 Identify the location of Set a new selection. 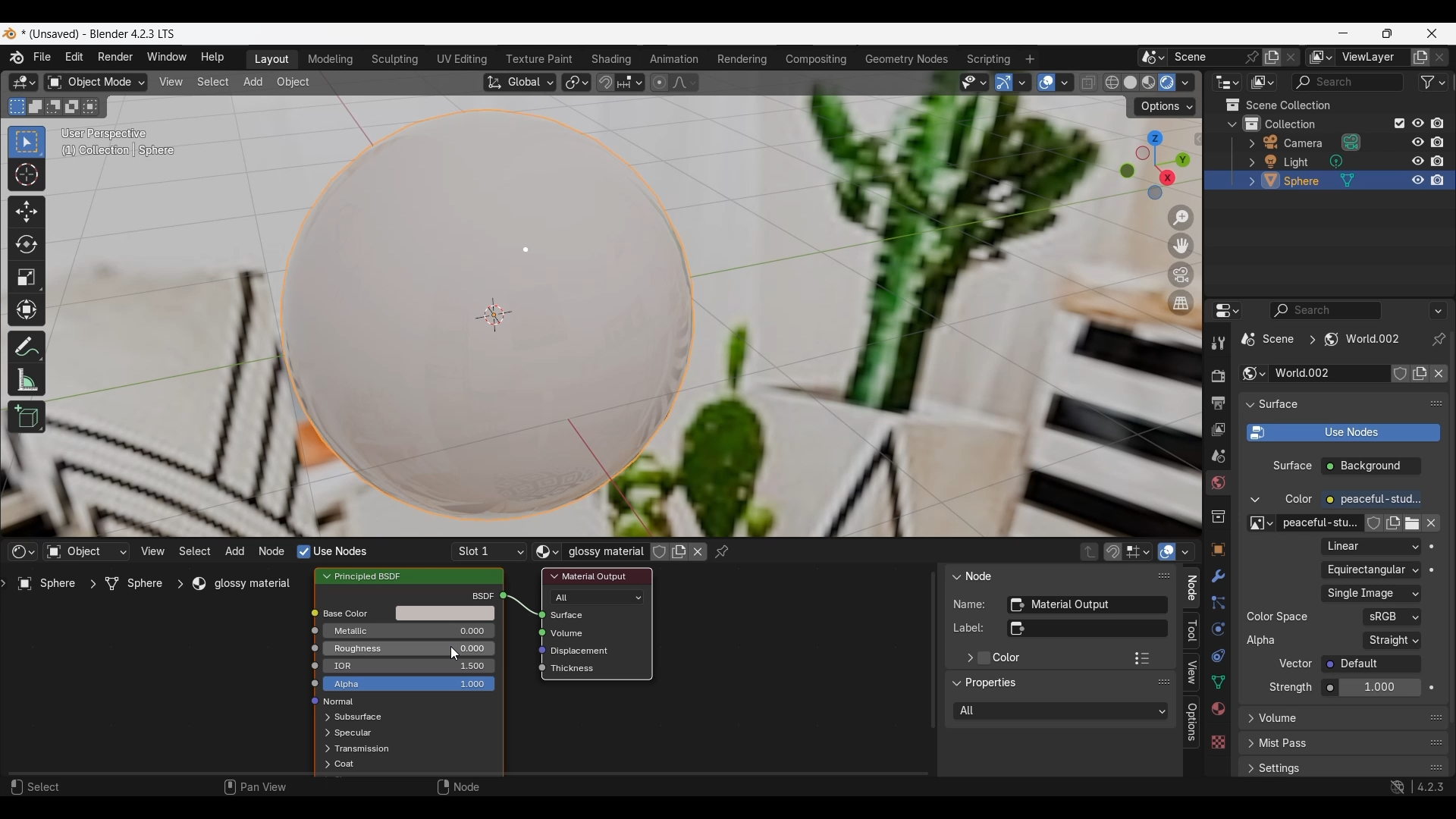
(17, 107).